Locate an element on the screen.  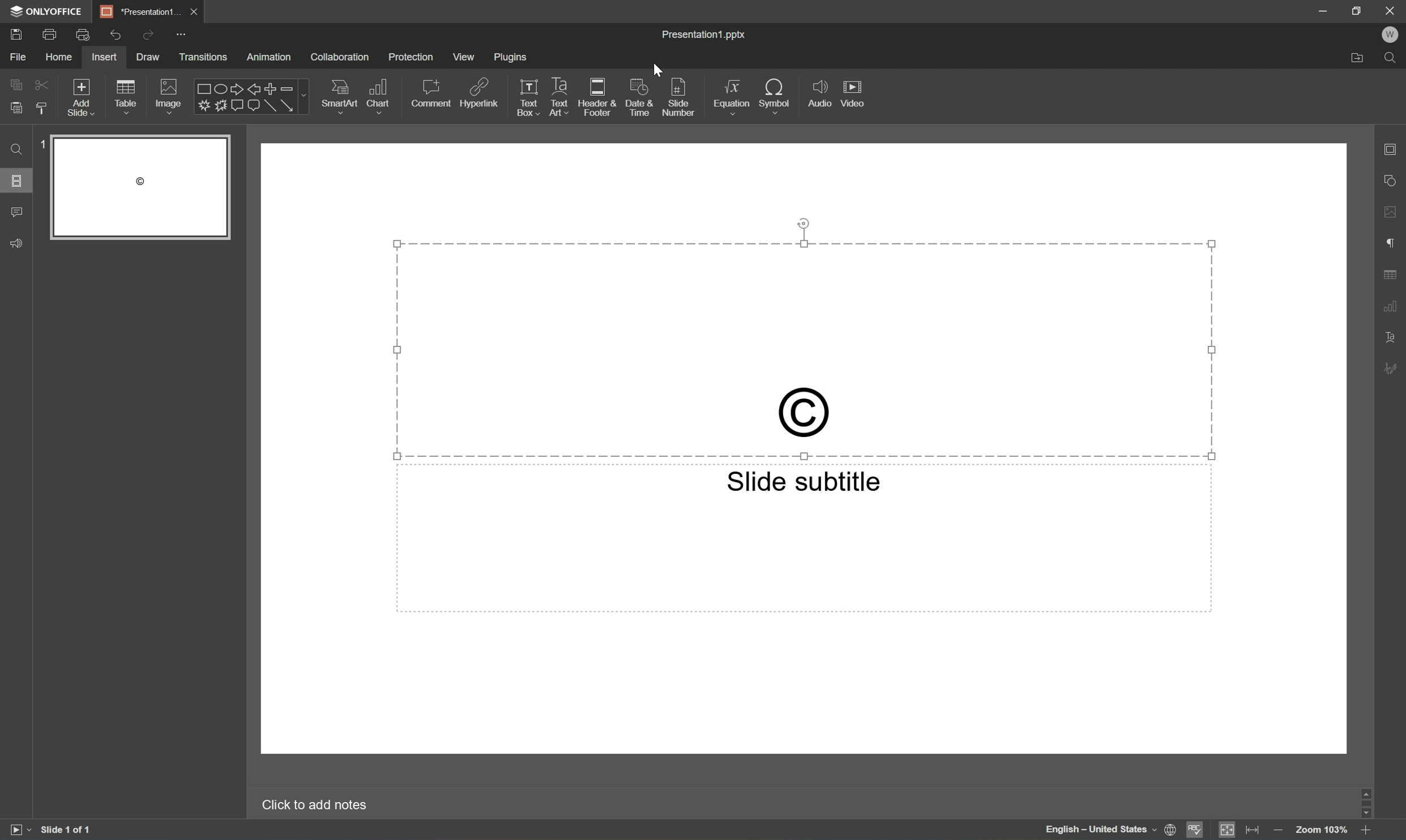
Print file is located at coordinates (50, 33).